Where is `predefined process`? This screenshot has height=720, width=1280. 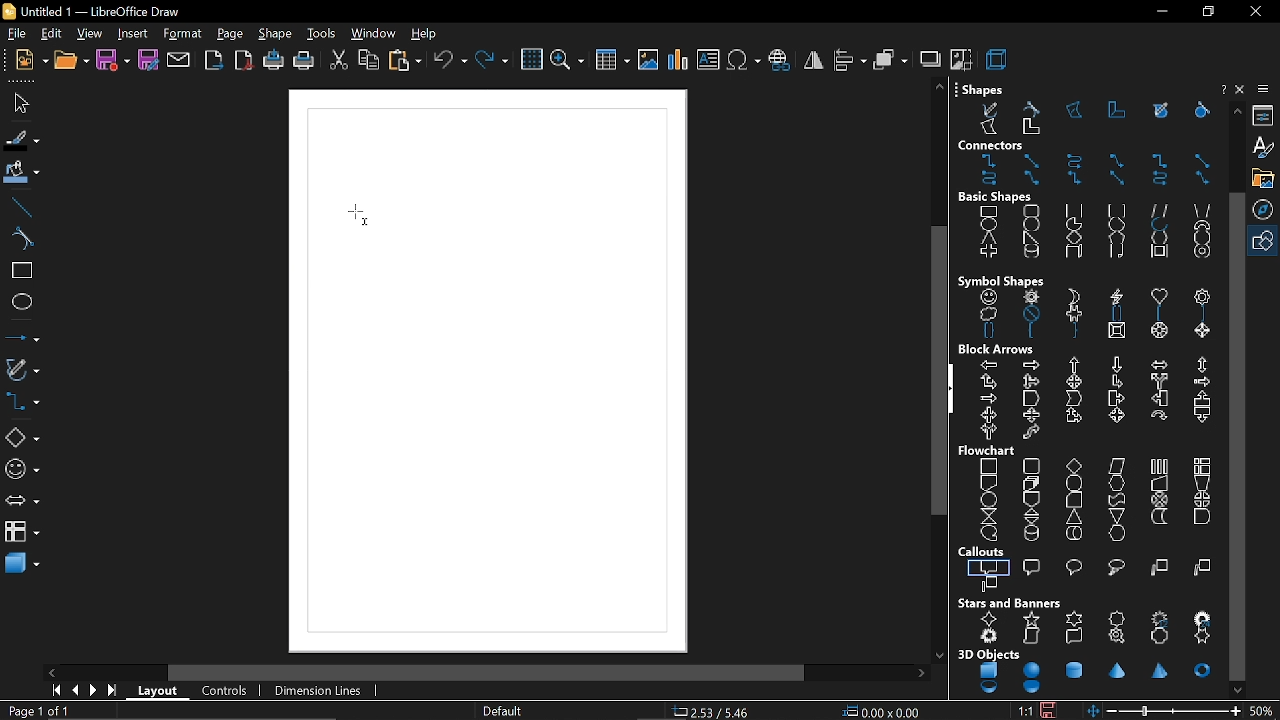 predefined process is located at coordinates (1159, 466).